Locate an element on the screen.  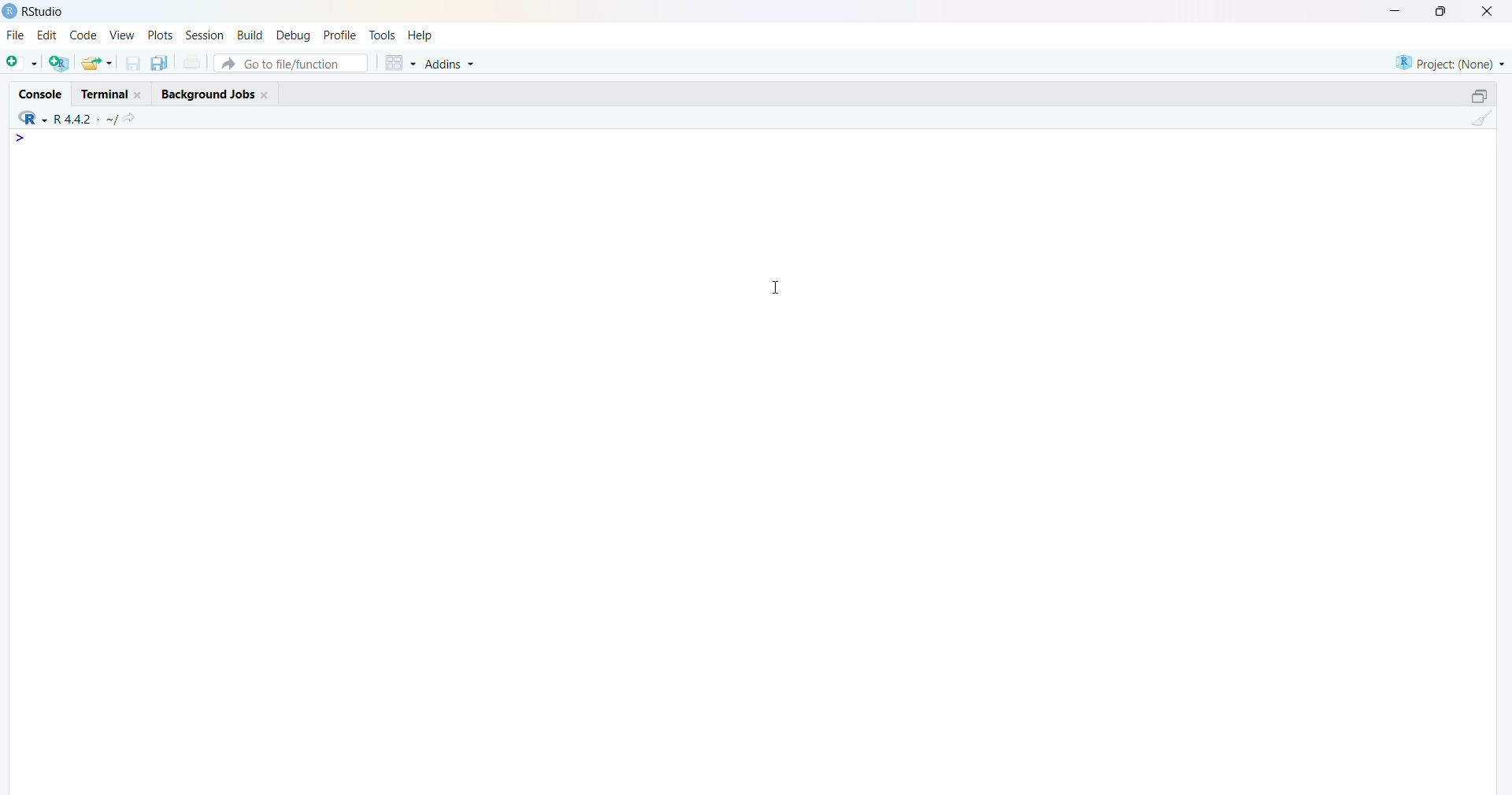
duplicate is located at coordinates (161, 63).